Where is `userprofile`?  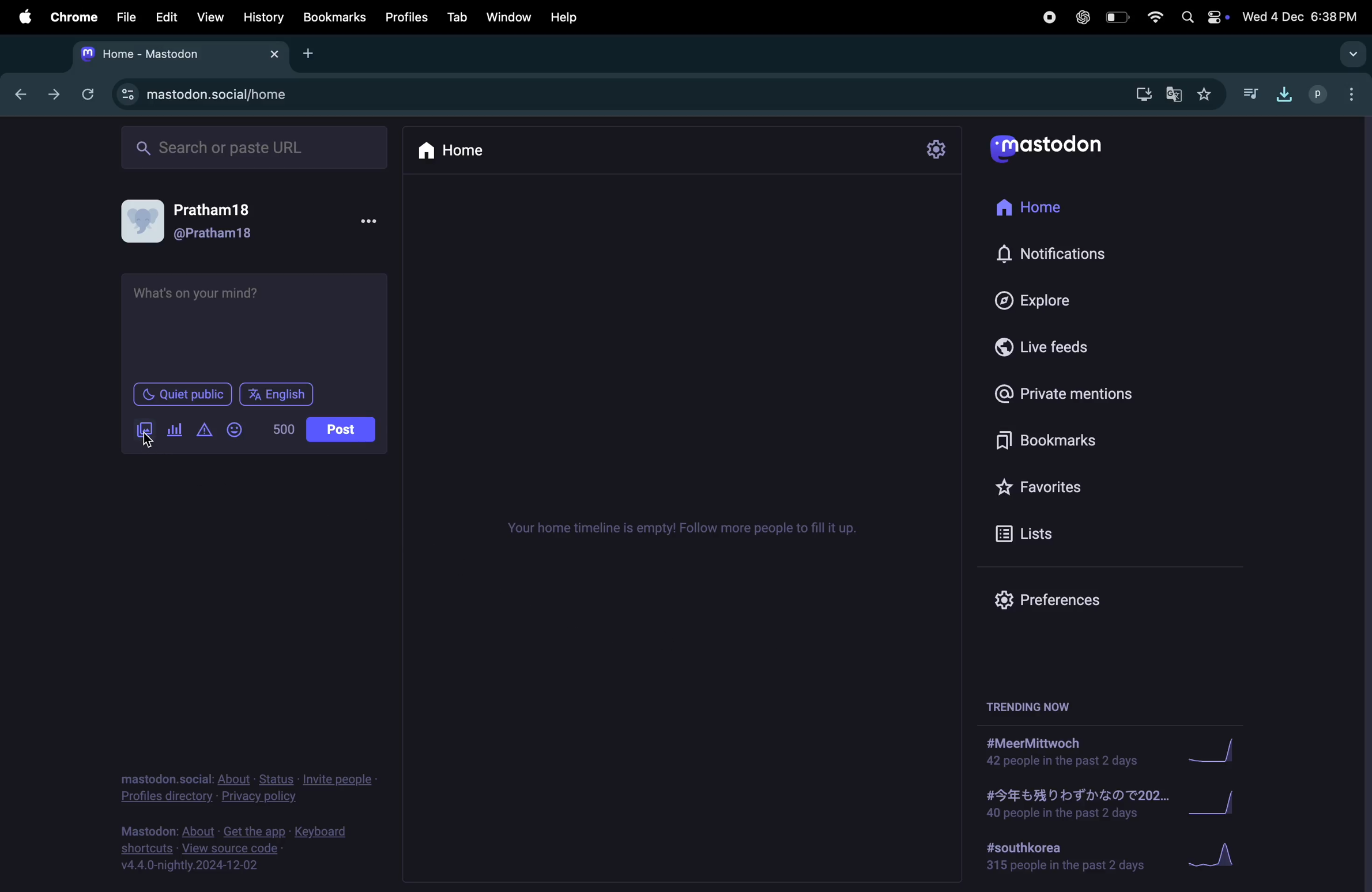 userprofile is located at coordinates (1337, 95).